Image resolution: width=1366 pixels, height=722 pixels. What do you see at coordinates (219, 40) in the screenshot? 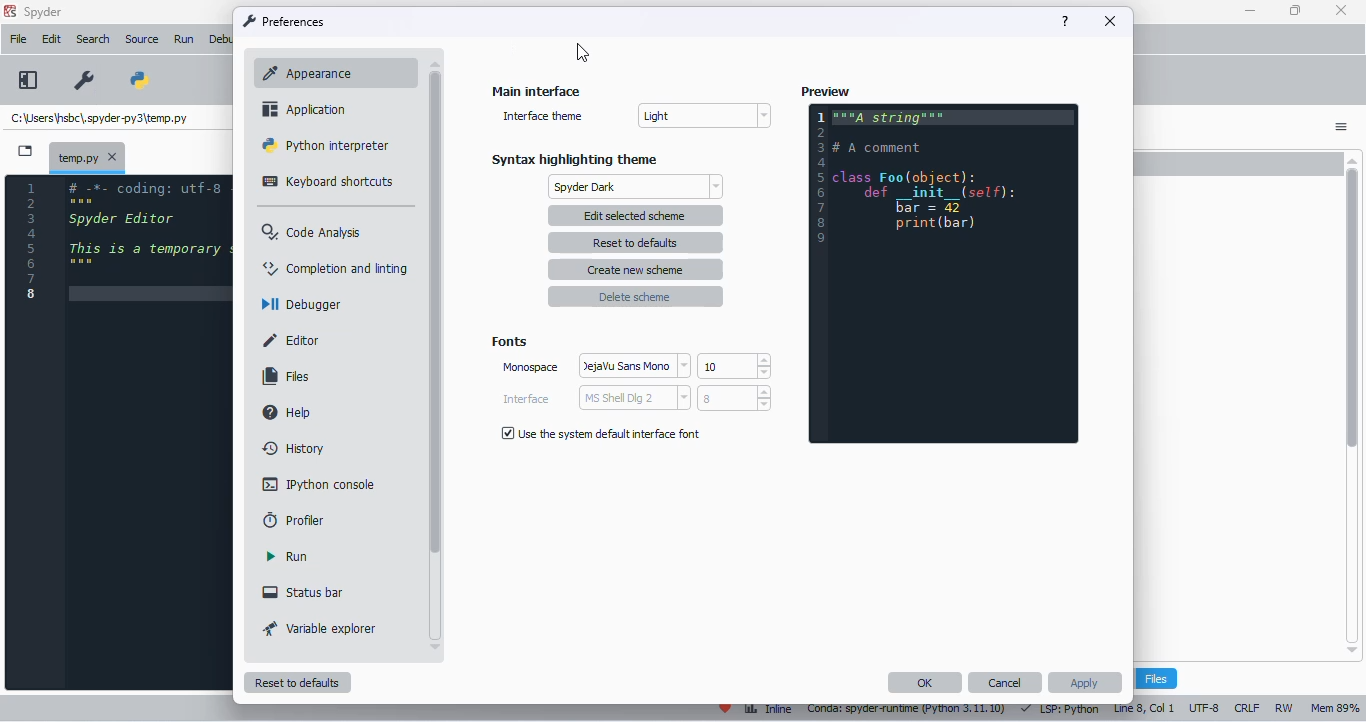
I see `debug` at bounding box center [219, 40].